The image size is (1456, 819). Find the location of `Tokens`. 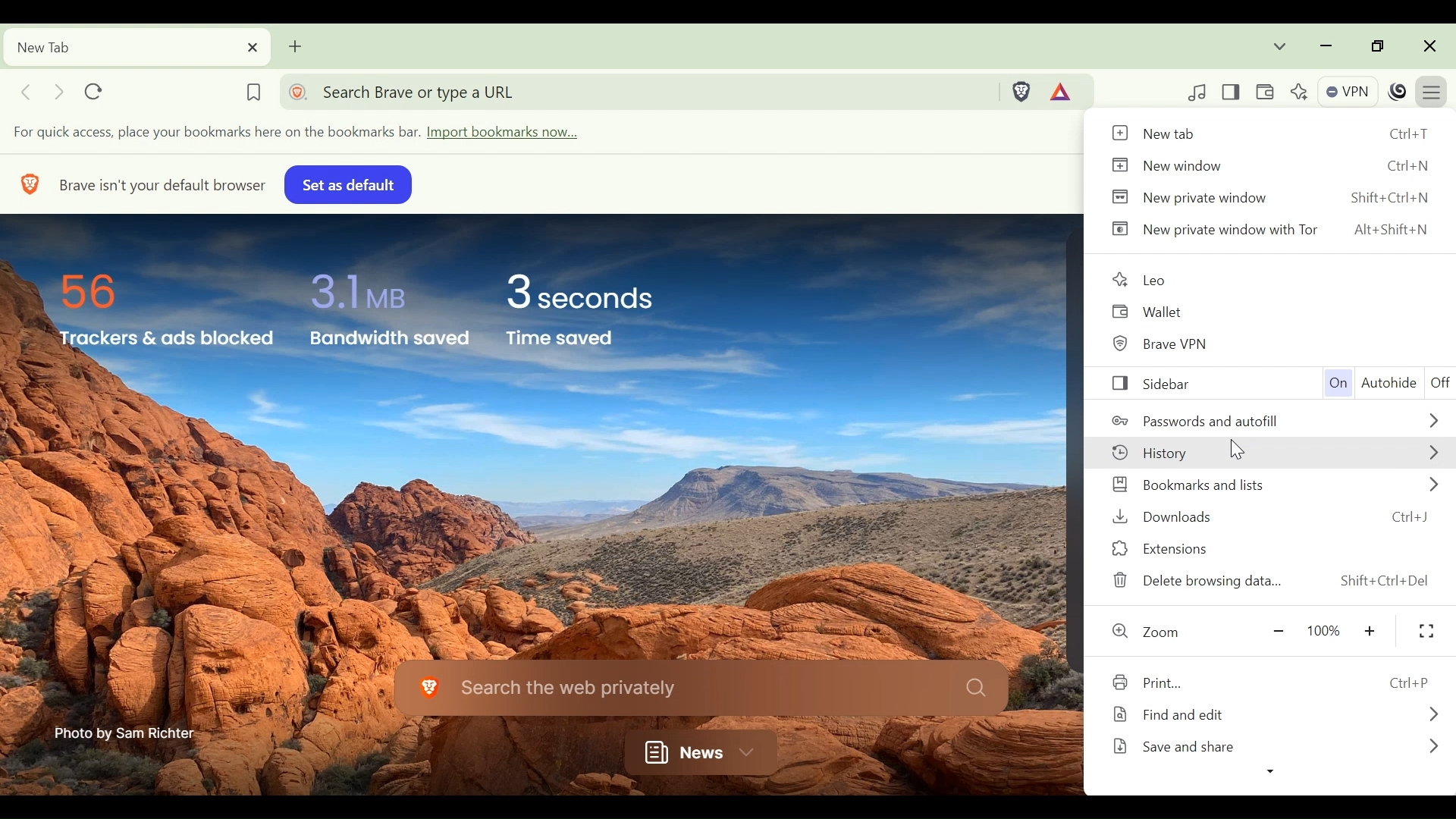

Tokens is located at coordinates (1065, 91).